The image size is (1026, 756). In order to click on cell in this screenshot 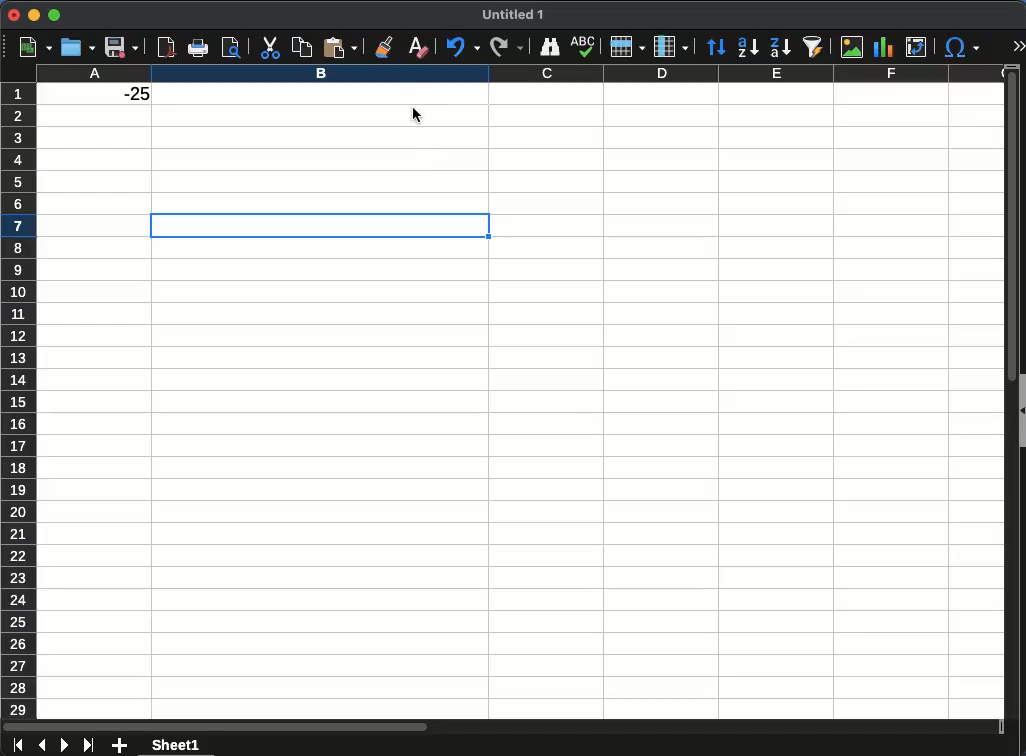, I will do `click(320, 226)`.